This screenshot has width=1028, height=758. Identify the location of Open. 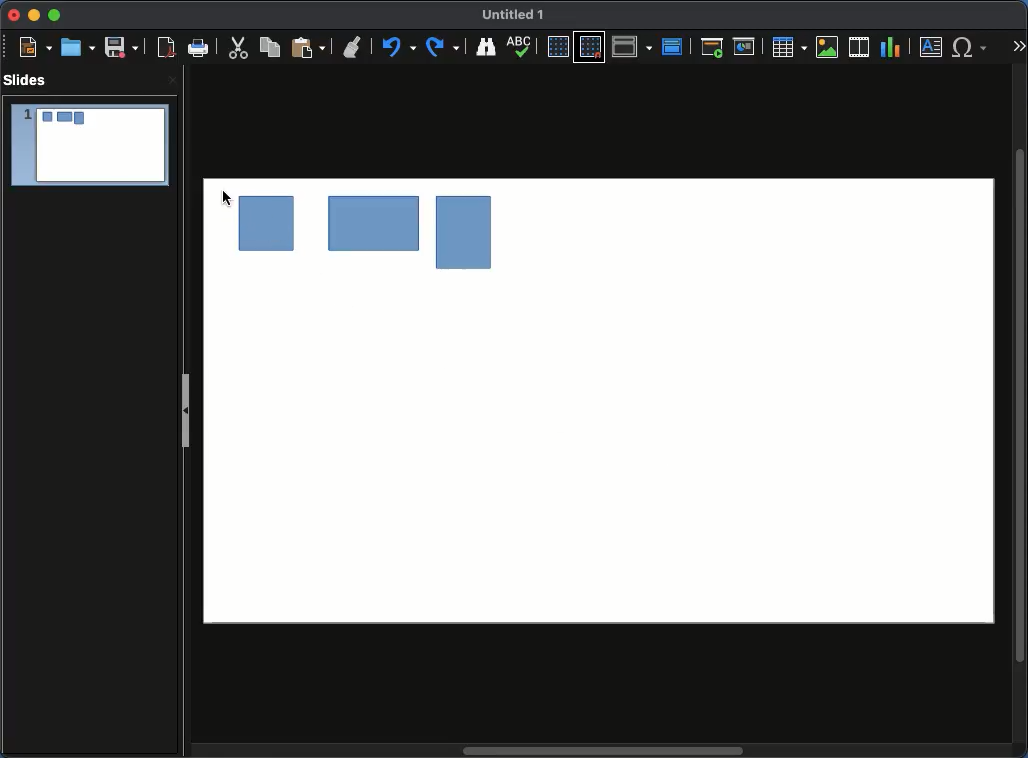
(76, 47).